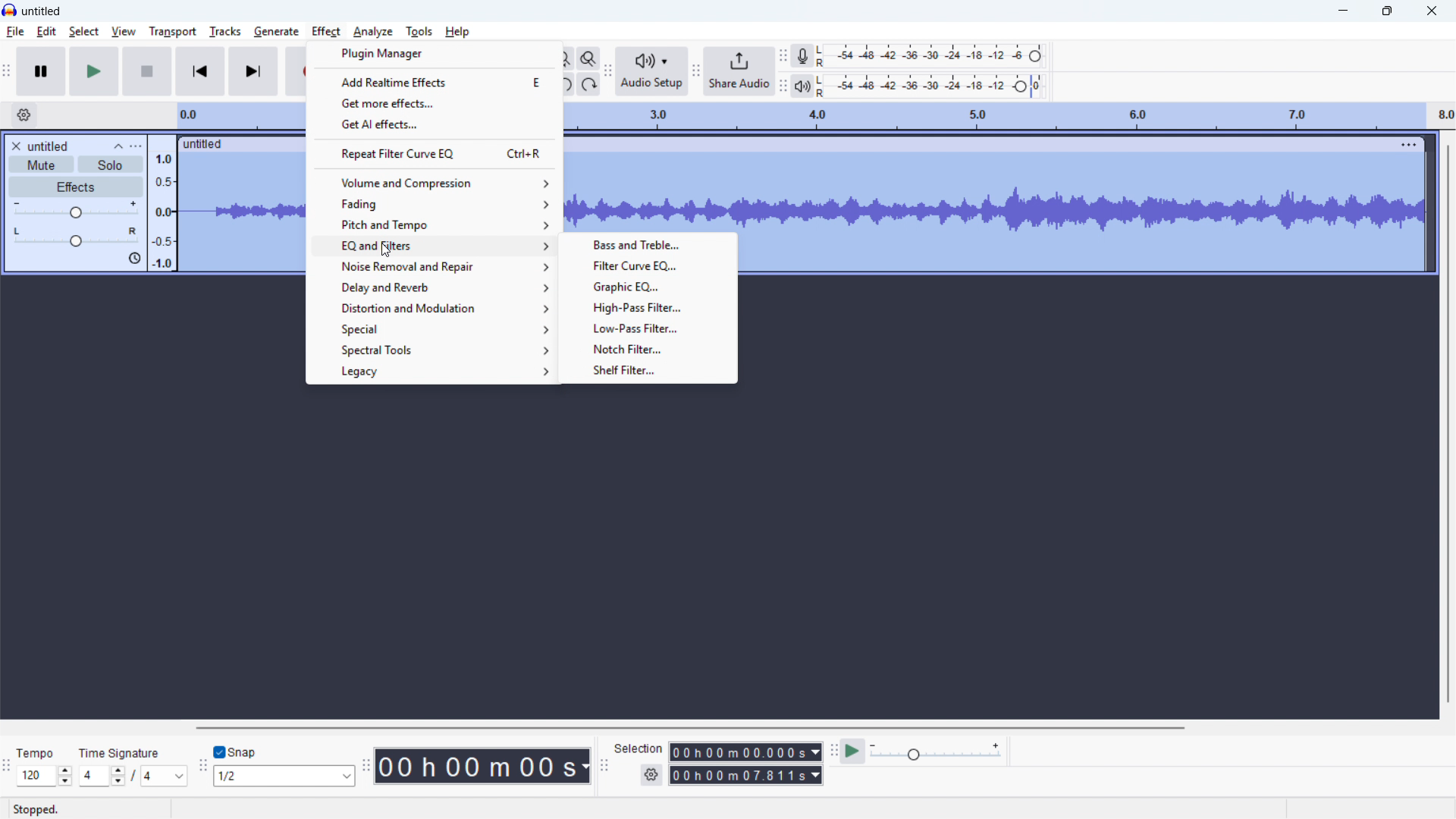 This screenshot has width=1456, height=819. What do you see at coordinates (604, 768) in the screenshot?
I see `Selection toolbar ` at bounding box center [604, 768].